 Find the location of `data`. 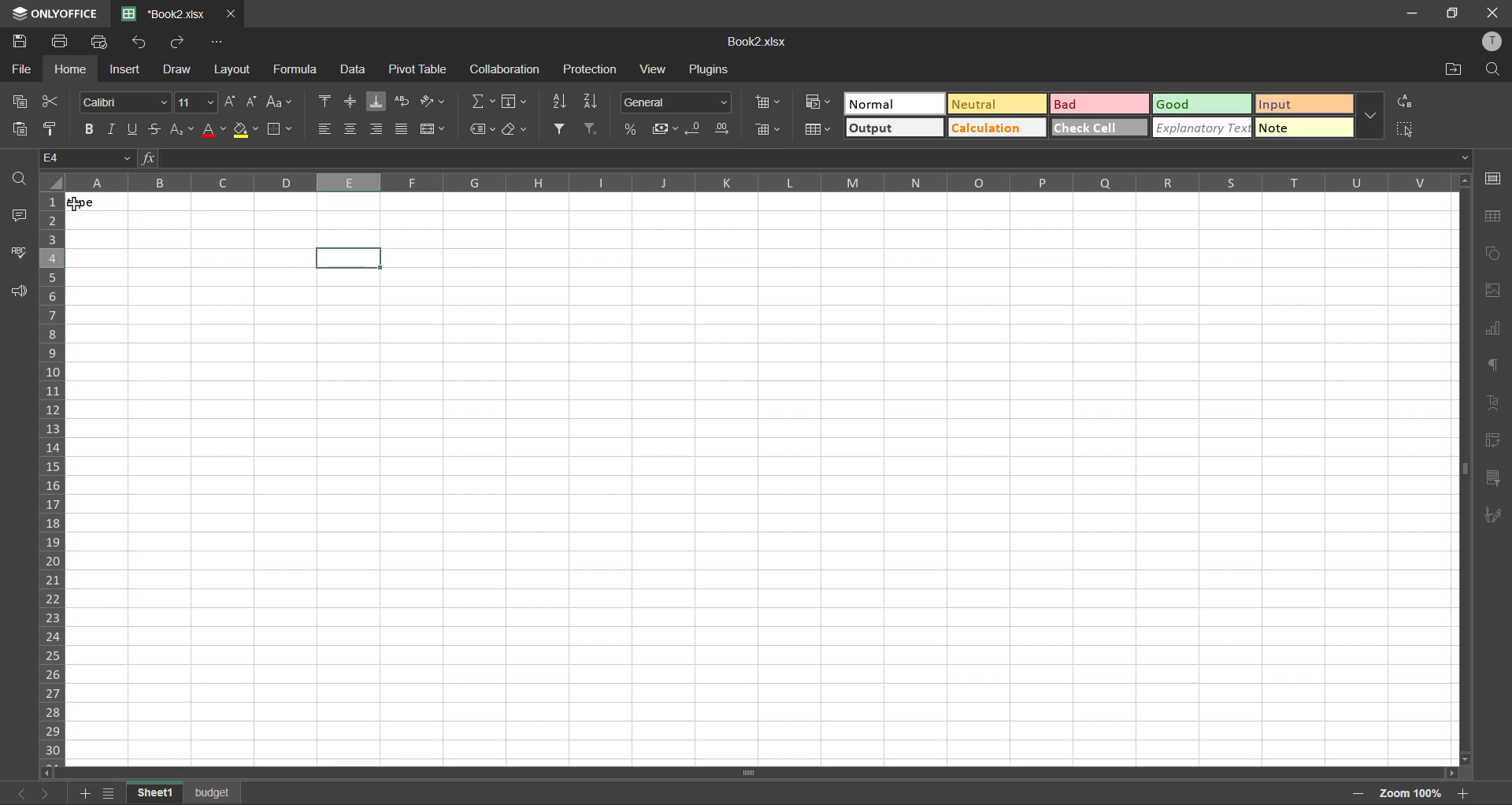

data is located at coordinates (354, 69).